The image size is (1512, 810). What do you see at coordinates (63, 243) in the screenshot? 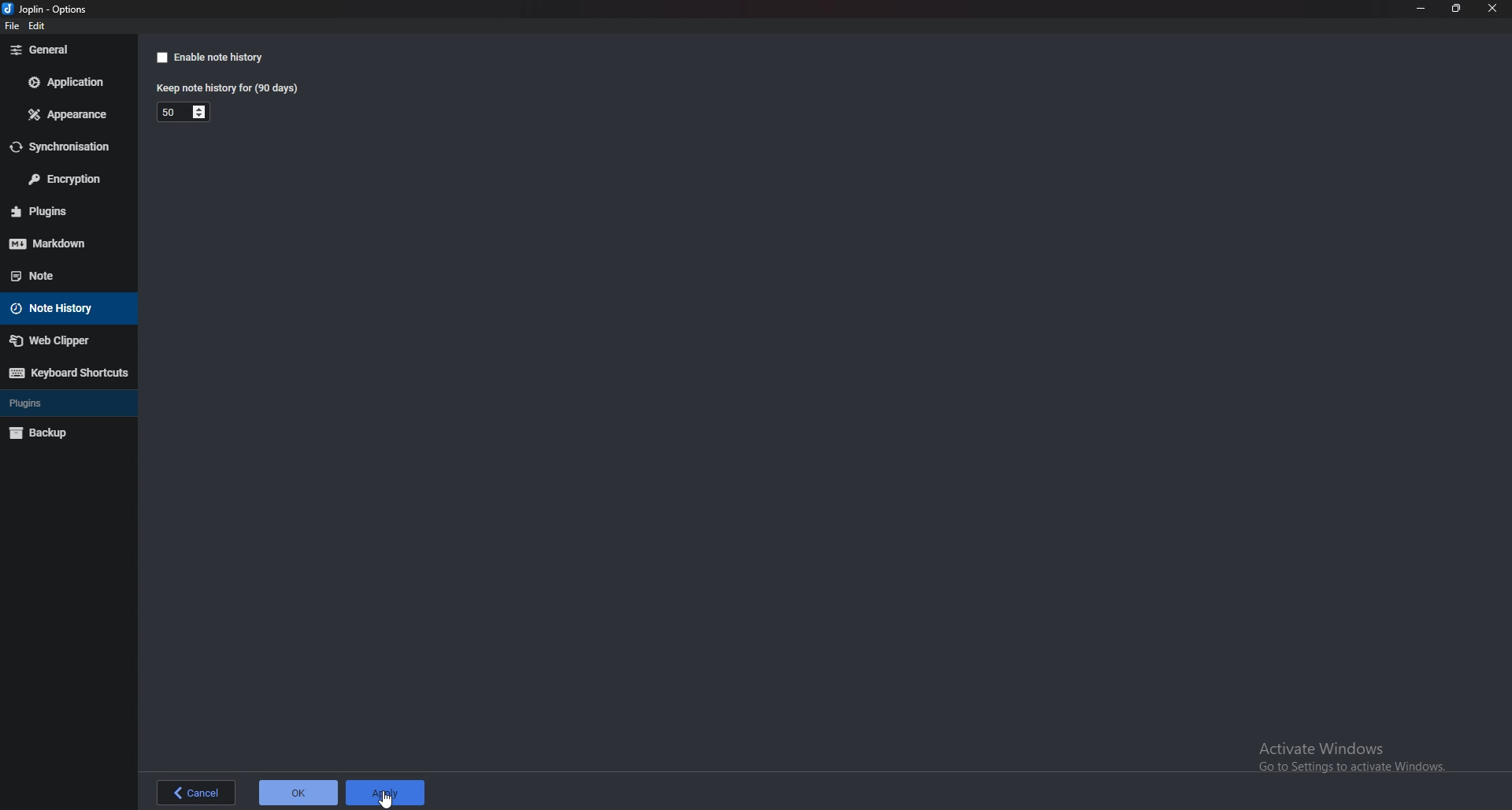
I see `mark down` at bounding box center [63, 243].